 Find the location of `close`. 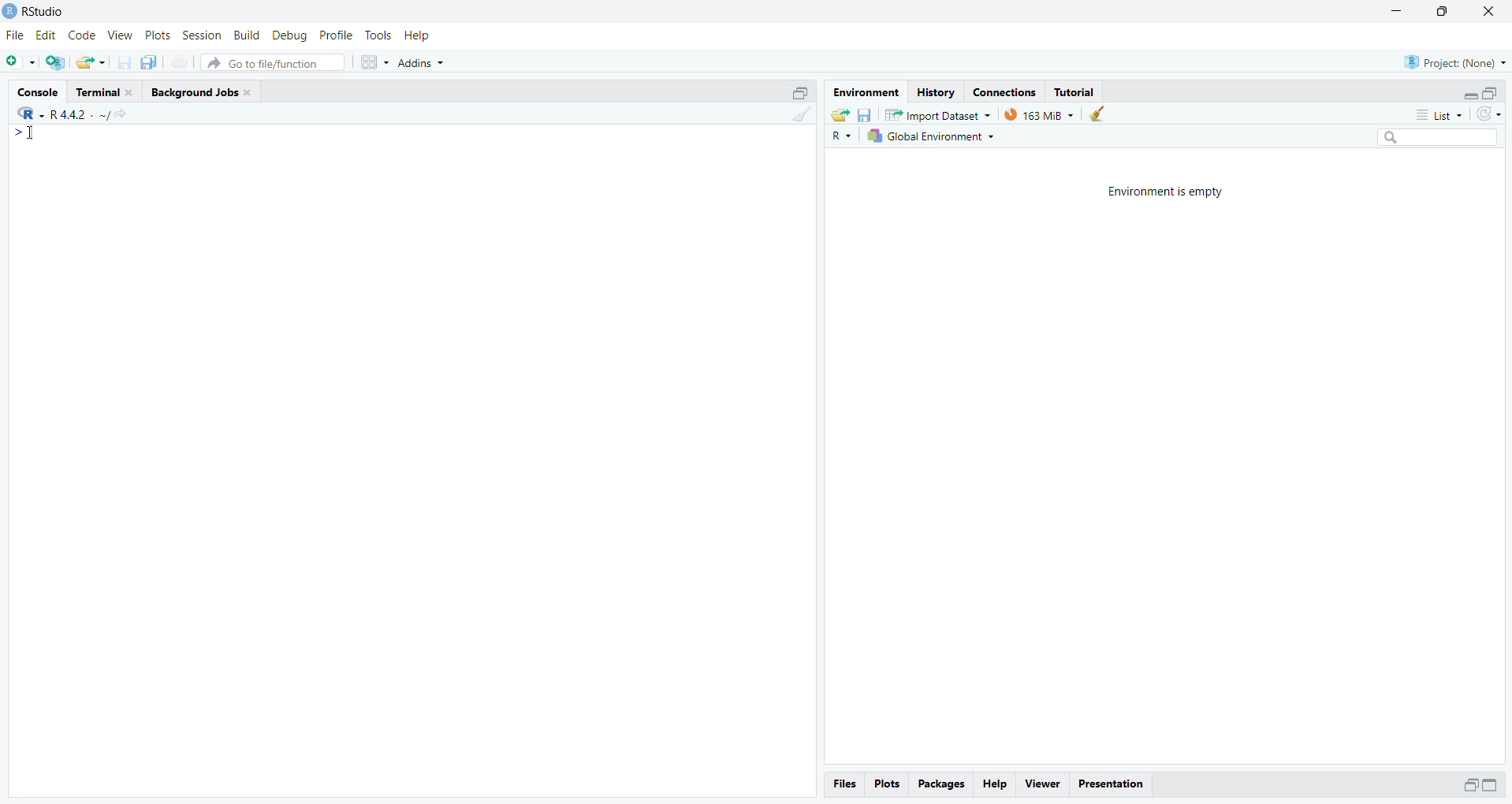

close is located at coordinates (1490, 9).